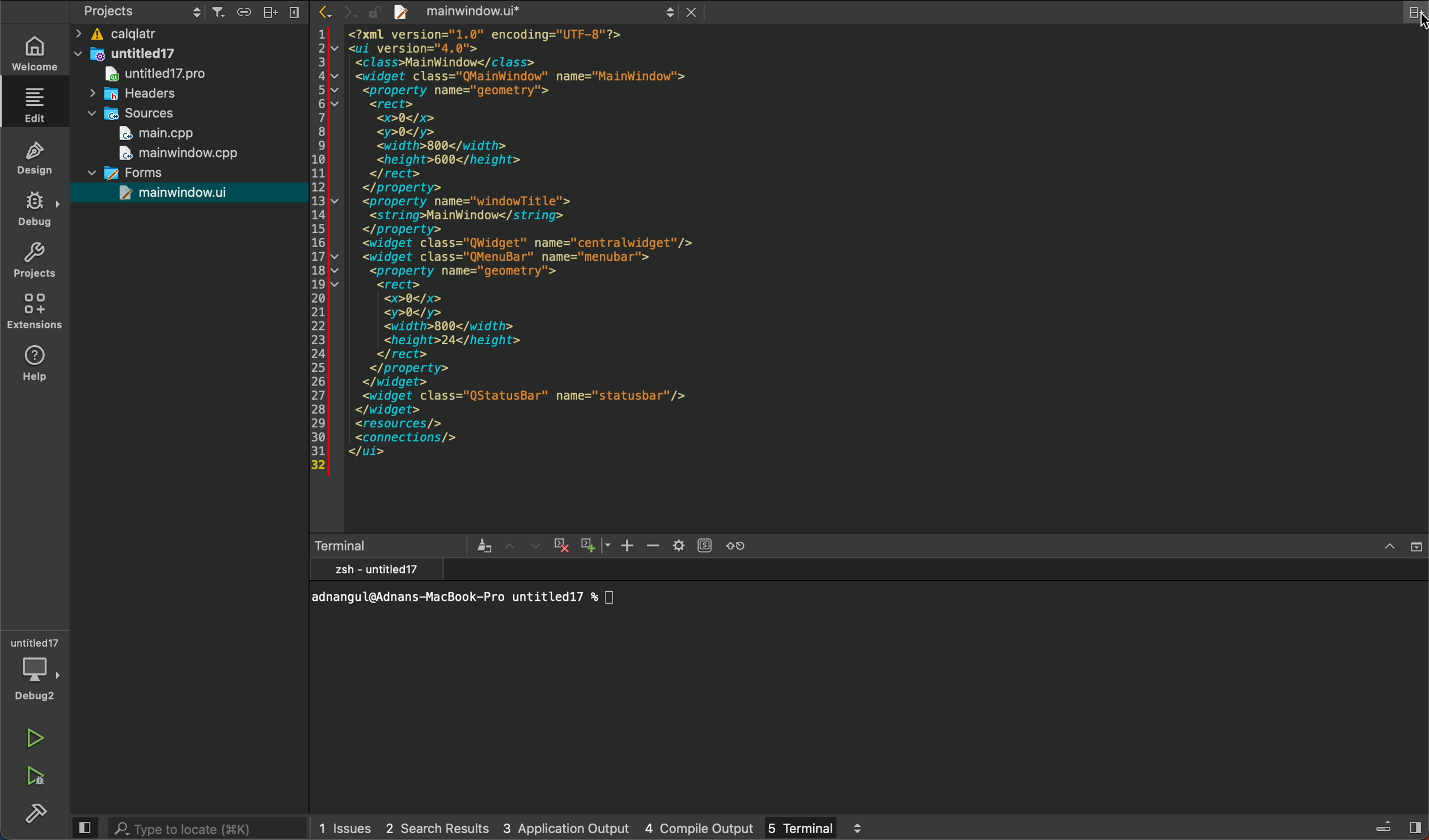 Image resolution: width=1429 pixels, height=840 pixels. What do you see at coordinates (1414, 546) in the screenshot?
I see `close` at bounding box center [1414, 546].